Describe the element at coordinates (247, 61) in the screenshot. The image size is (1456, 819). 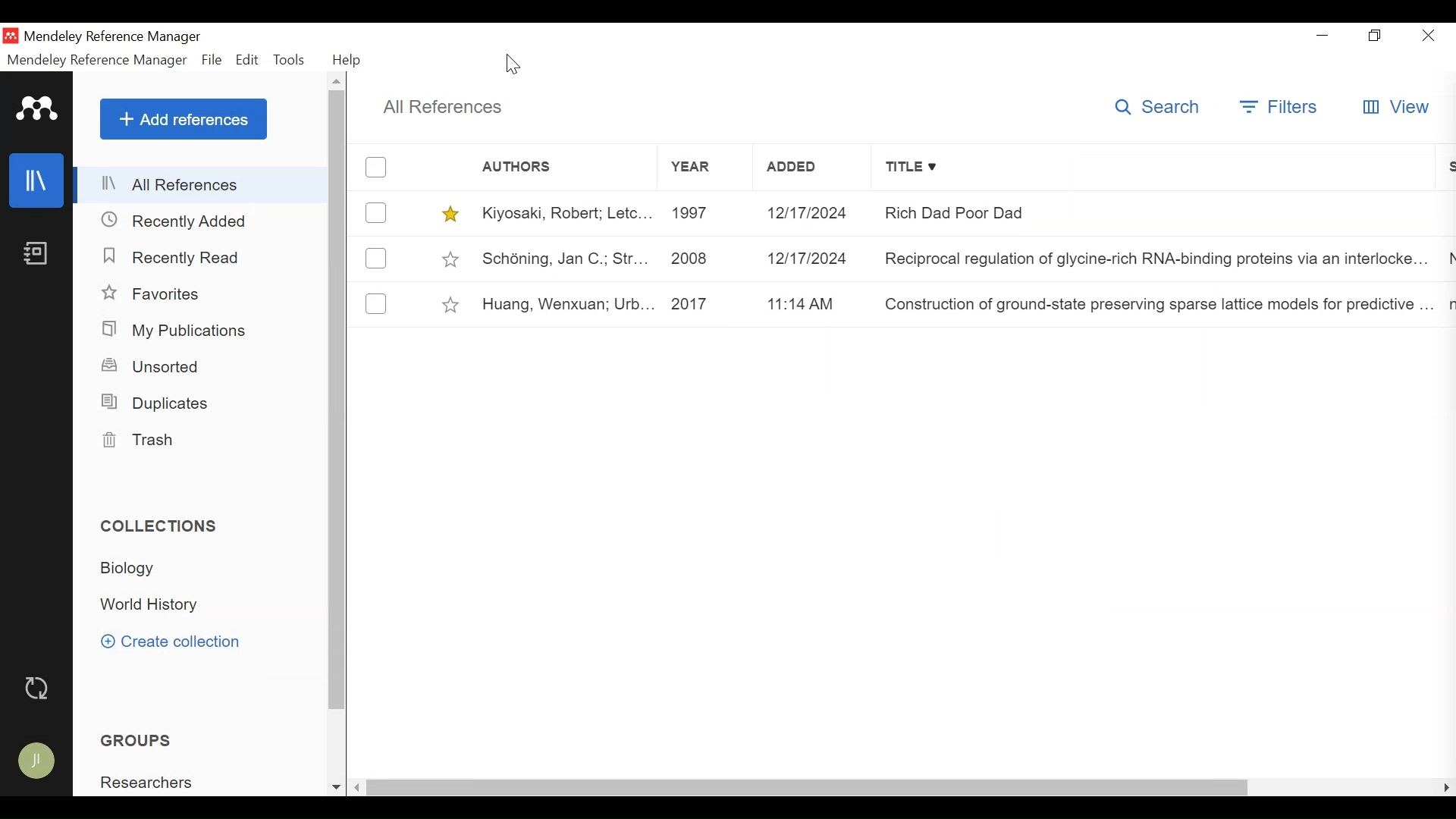
I see `Edit` at that location.